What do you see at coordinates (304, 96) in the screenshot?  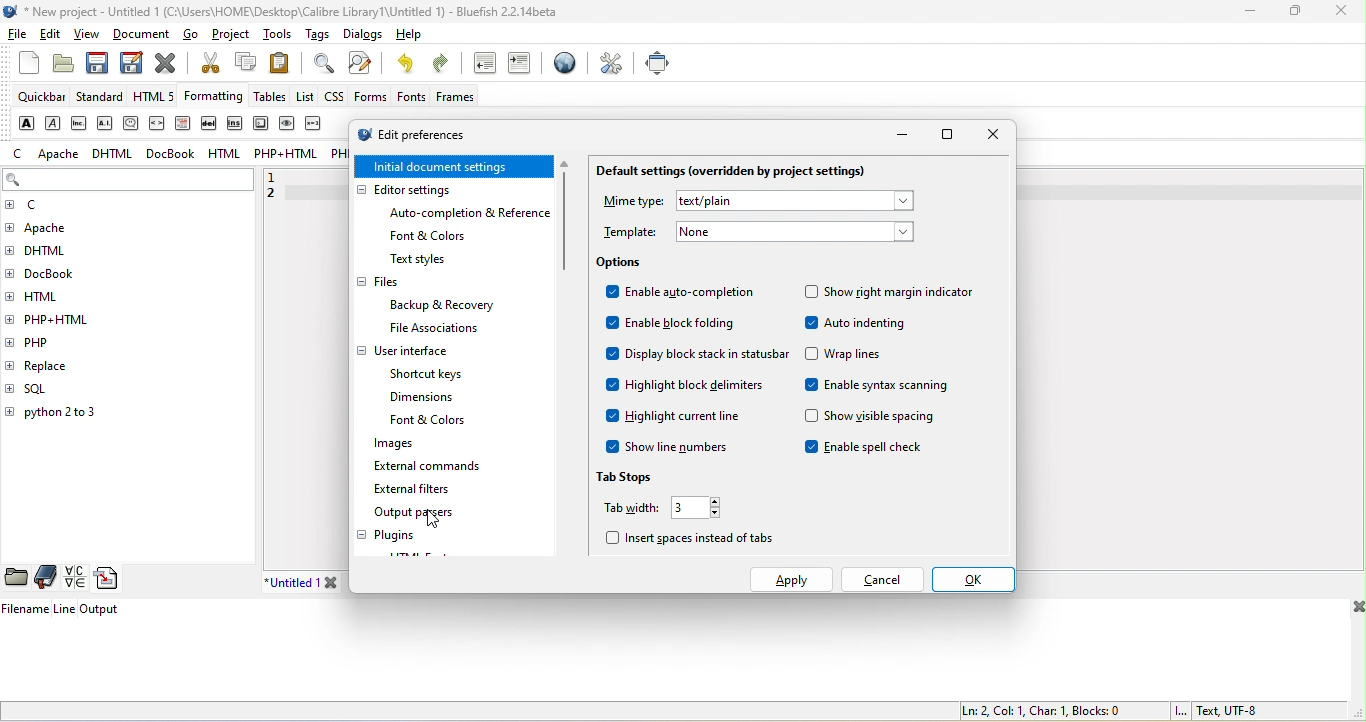 I see `list` at bounding box center [304, 96].